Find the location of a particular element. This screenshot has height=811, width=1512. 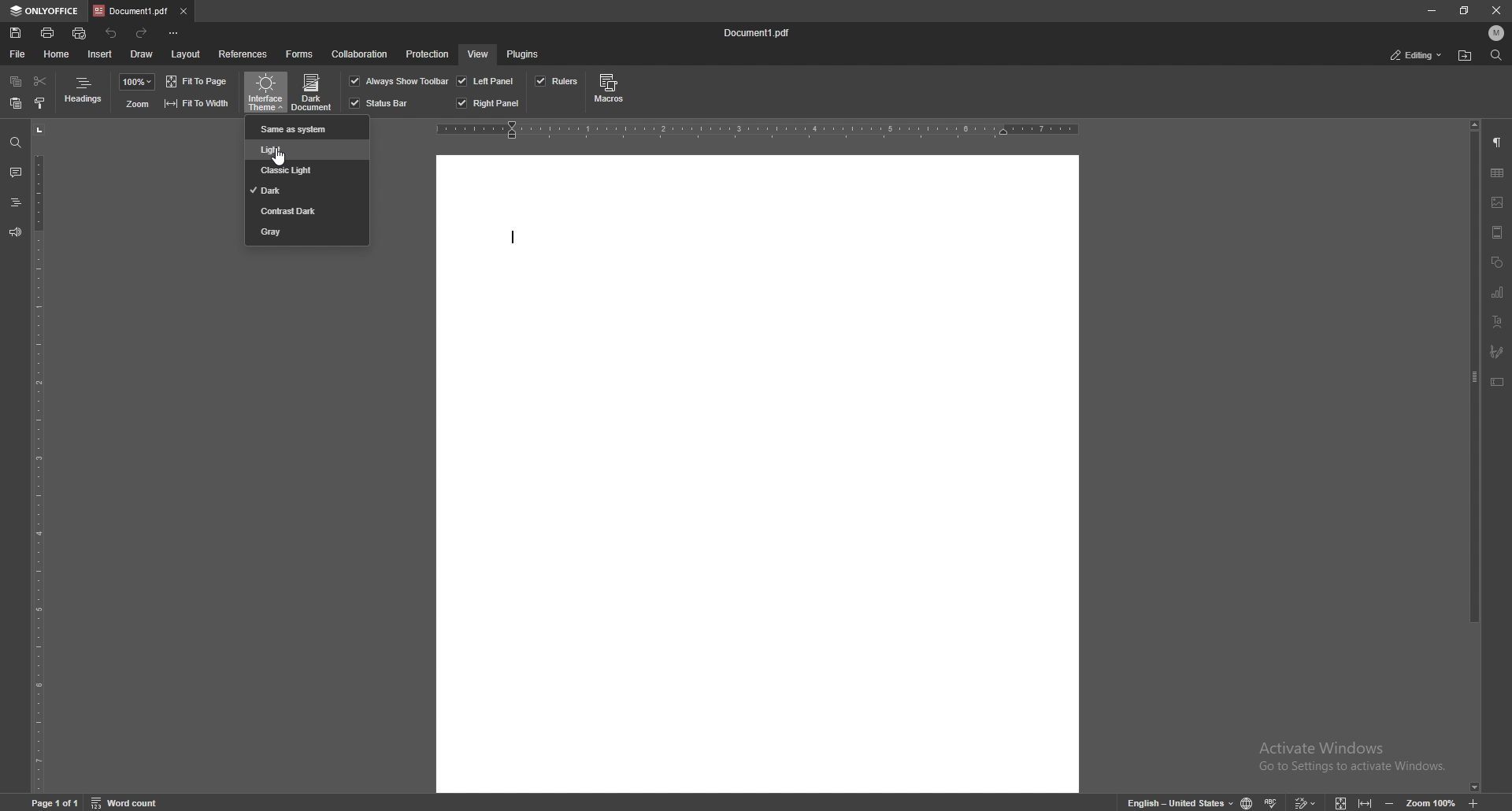

image is located at coordinates (1499, 202).